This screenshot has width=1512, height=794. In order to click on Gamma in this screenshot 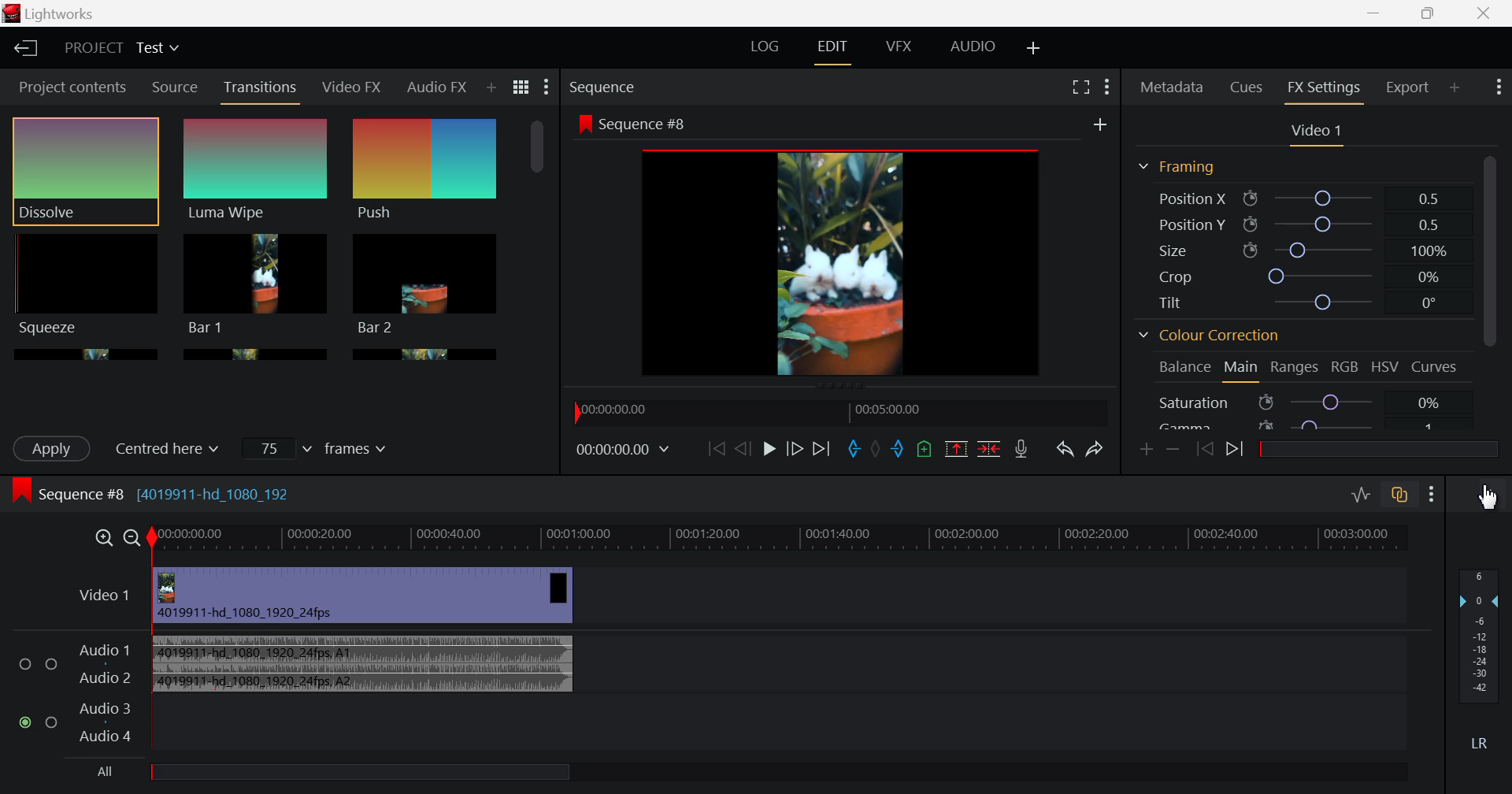, I will do `click(1305, 425)`.